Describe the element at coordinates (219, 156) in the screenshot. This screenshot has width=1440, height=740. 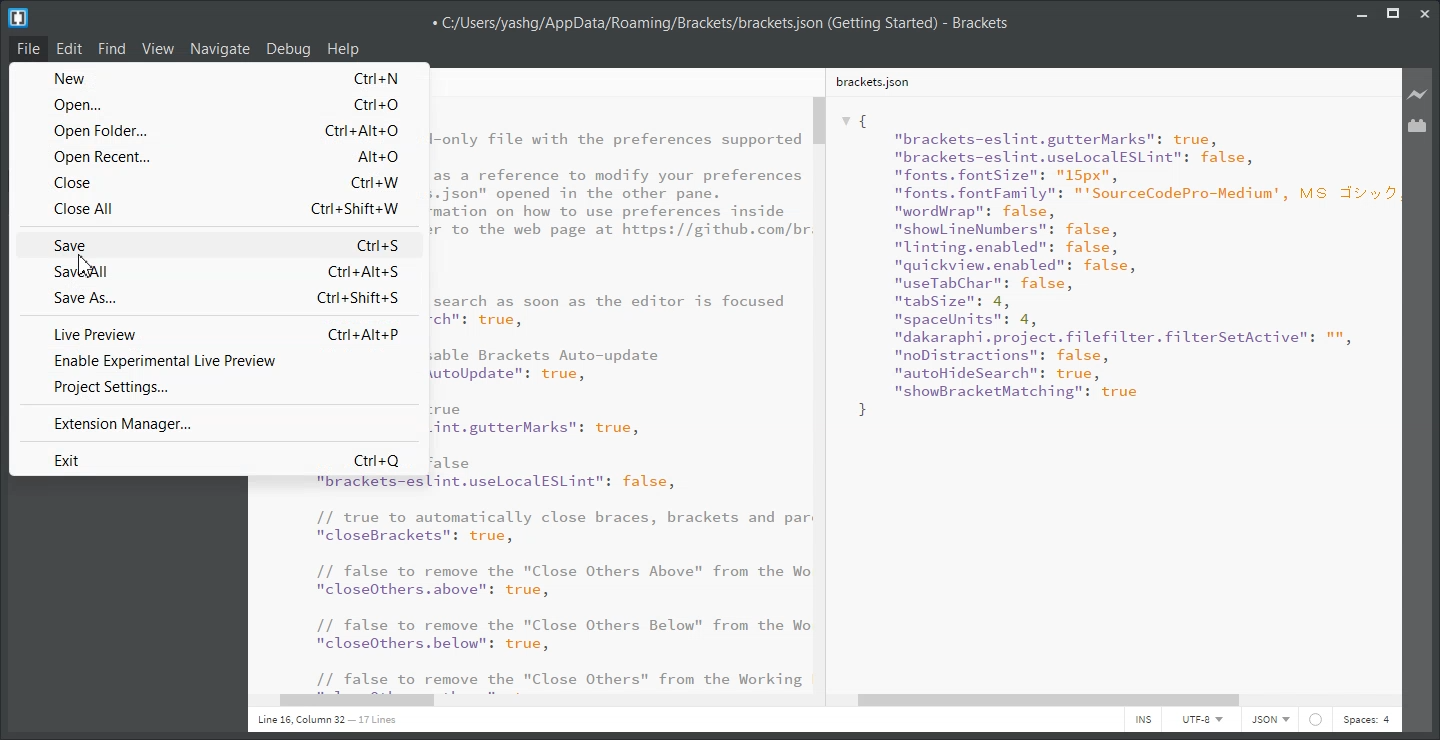
I see `Open Recent...   Alt+O` at that location.